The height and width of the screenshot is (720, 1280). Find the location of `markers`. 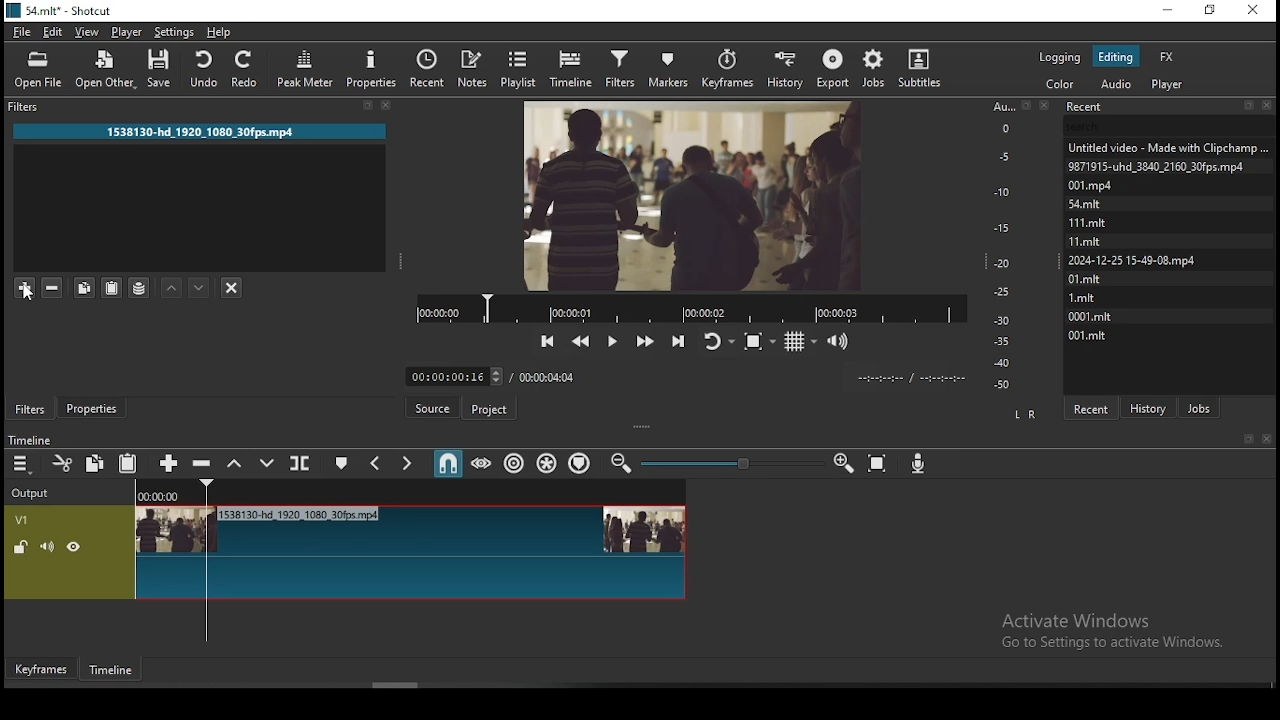

markers is located at coordinates (666, 68).